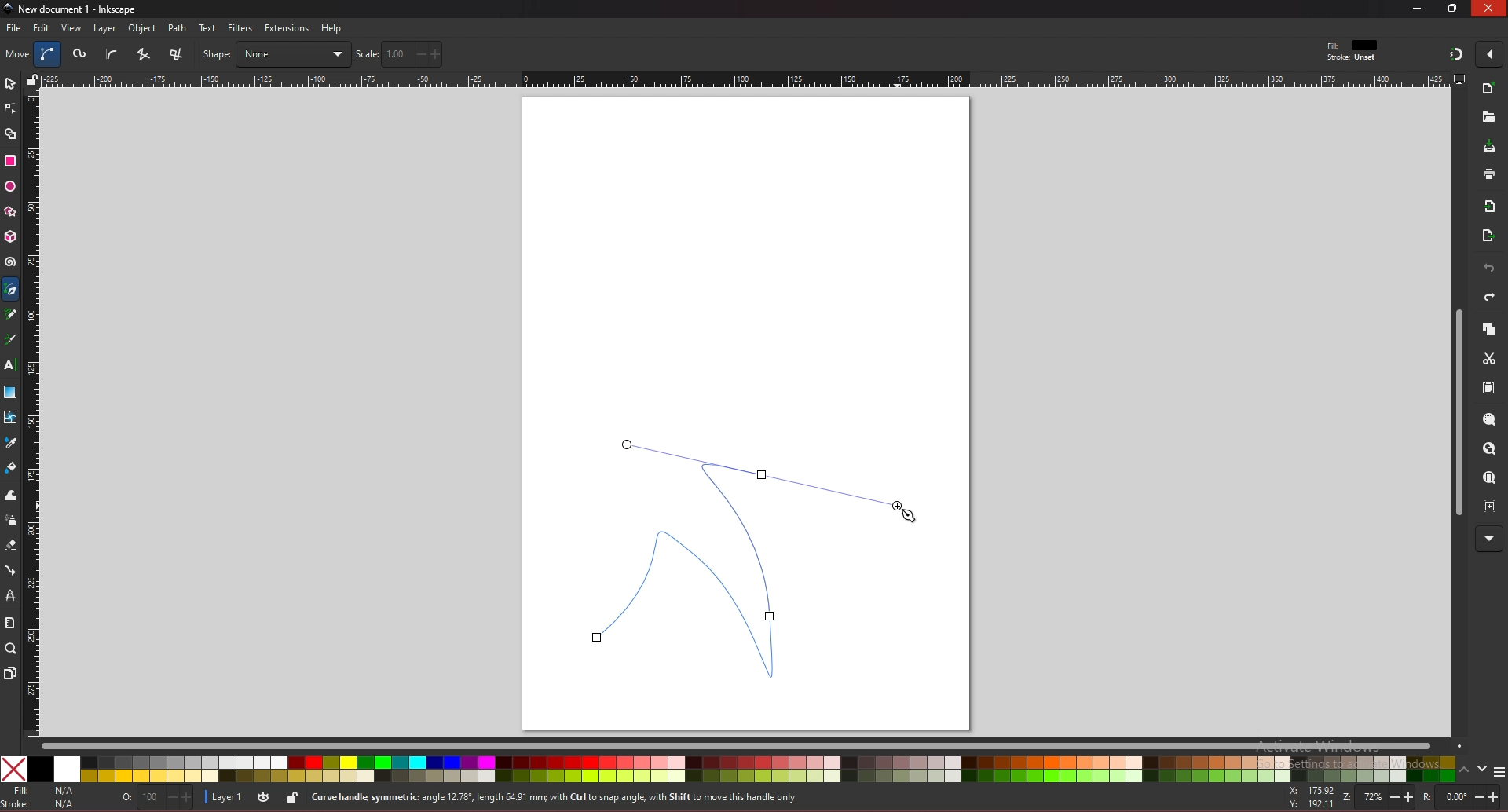 Image resolution: width=1508 pixels, height=812 pixels. Describe the element at coordinates (265, 797) in the screenshot. I see `toggle visibility` at that location.